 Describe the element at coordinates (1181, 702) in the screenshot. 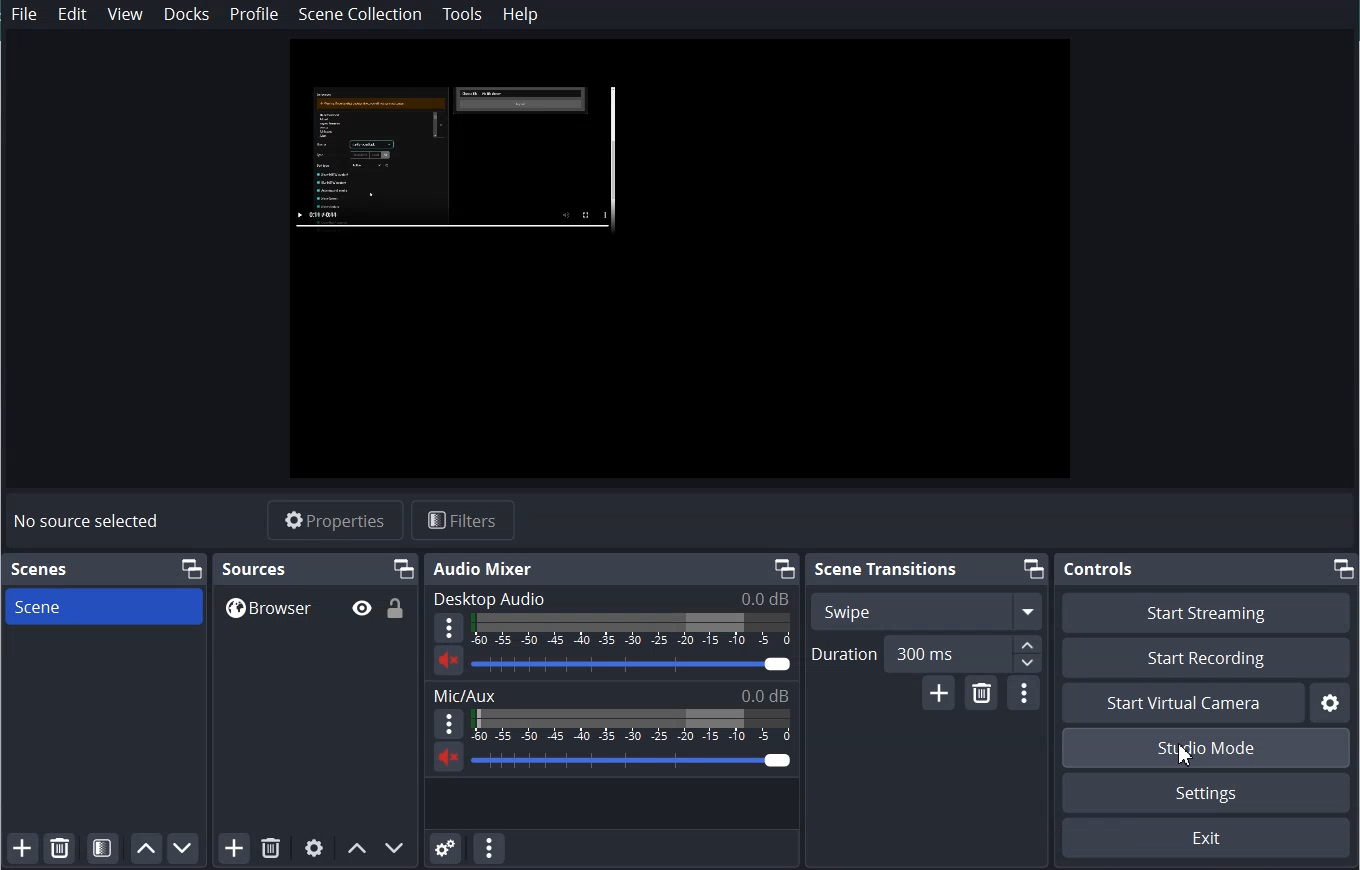

I see `Start Virtual Camera` at that location.